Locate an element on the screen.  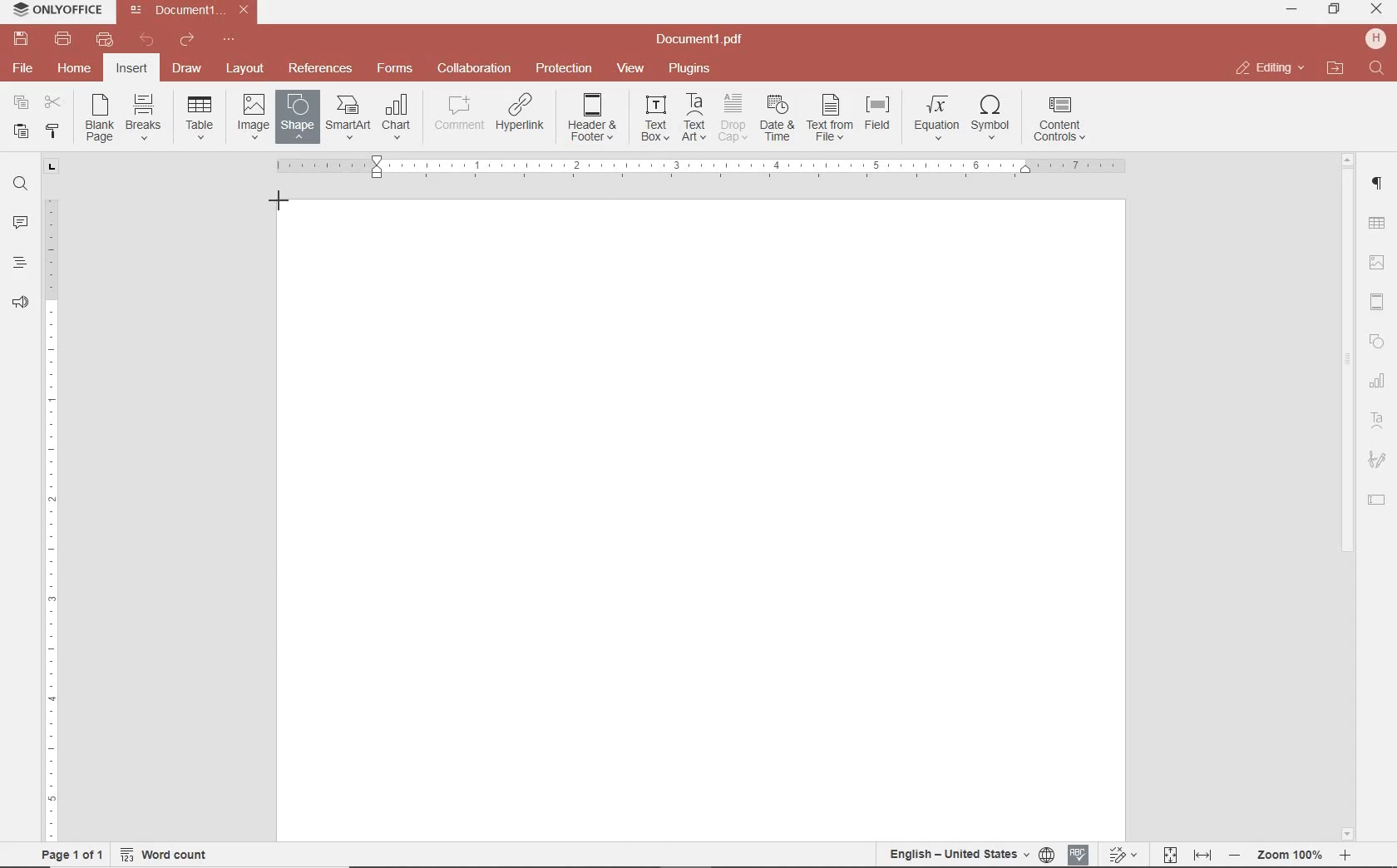
INSERT IMAGES is located at coordinates (254, 116).